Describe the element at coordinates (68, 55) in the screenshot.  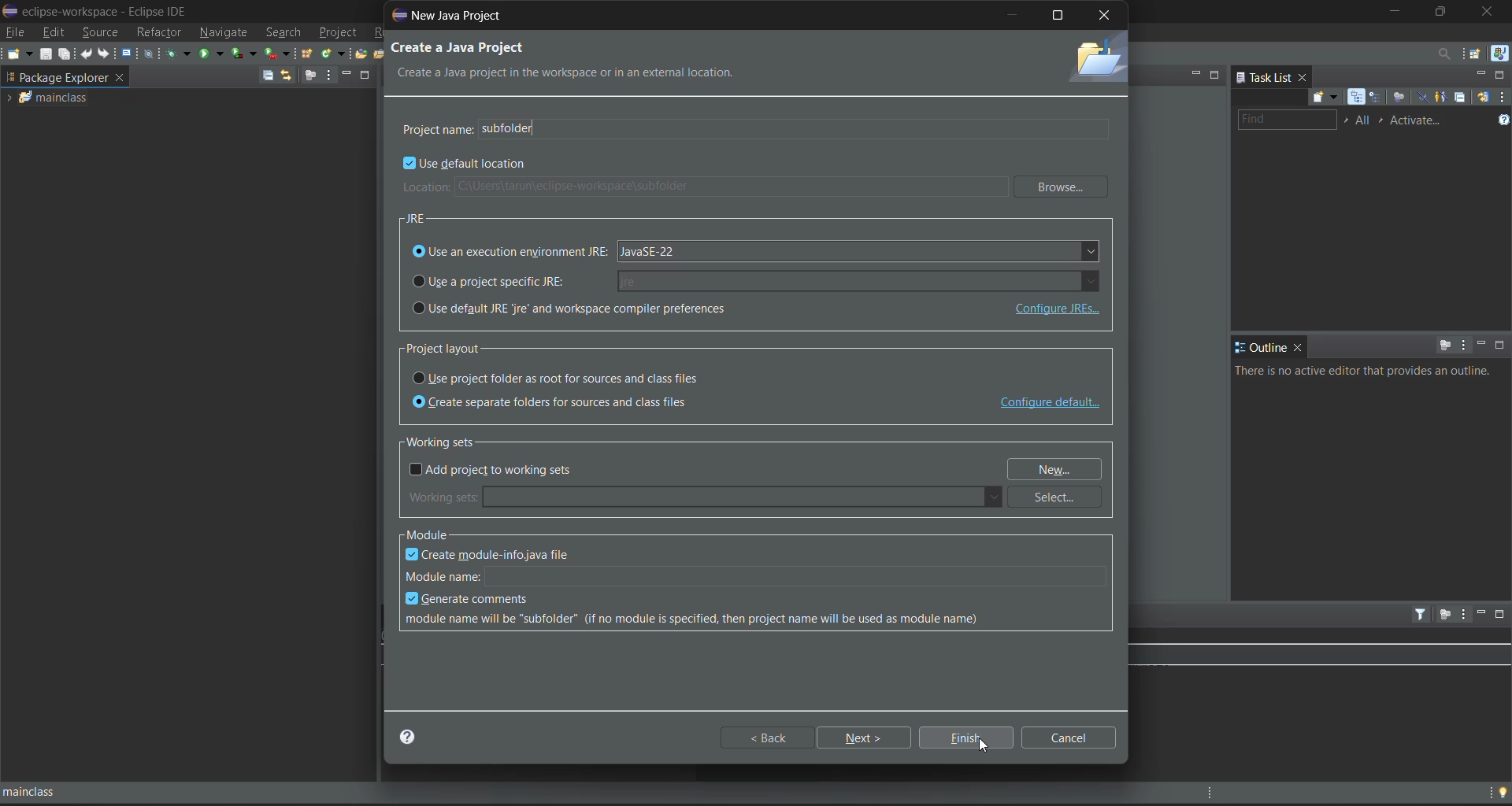
I see `save all` at that location.